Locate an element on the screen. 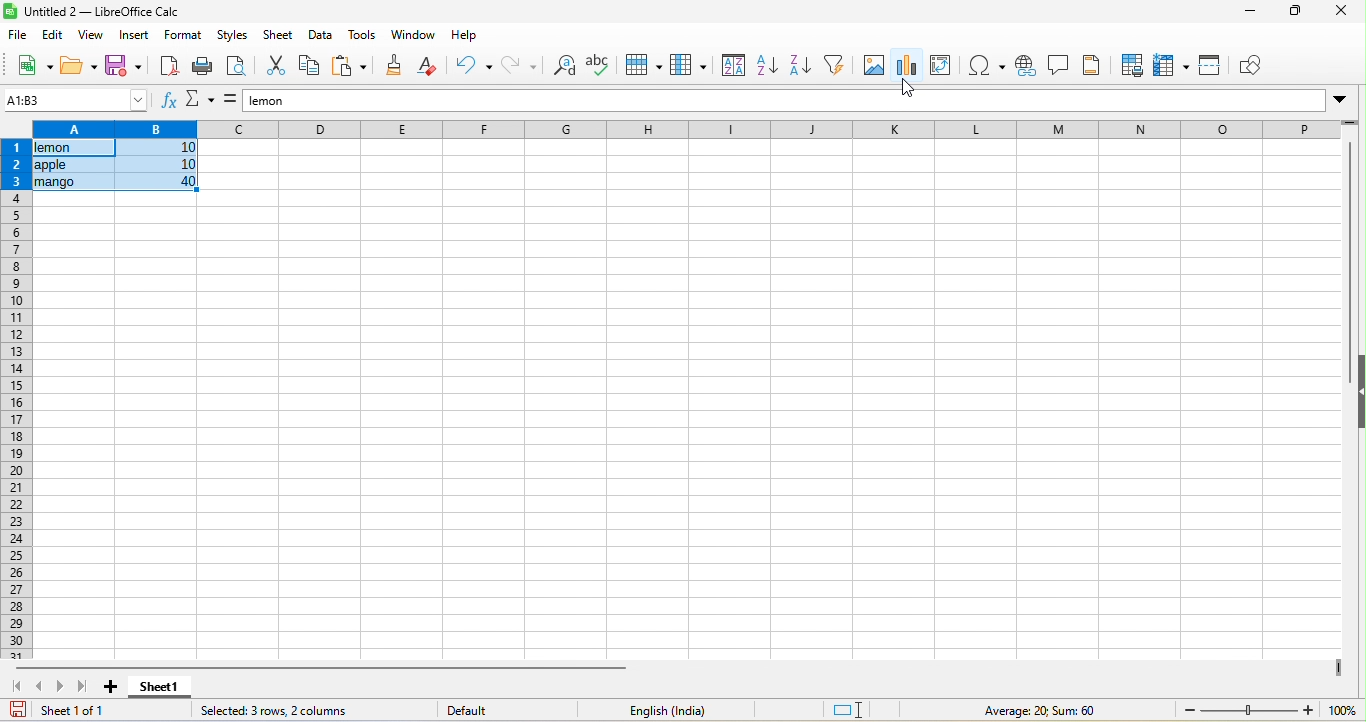  hyperlink is located at coordinates (1028, 65).